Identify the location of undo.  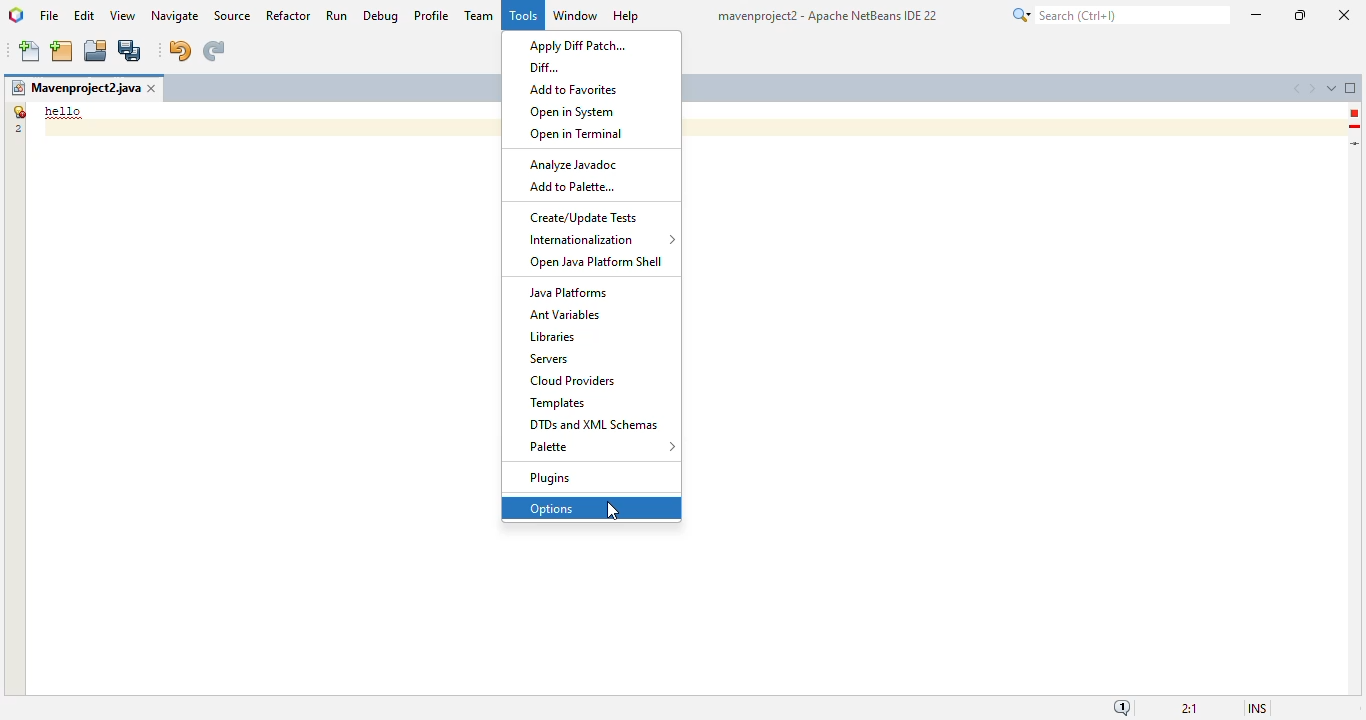
(179, 51).